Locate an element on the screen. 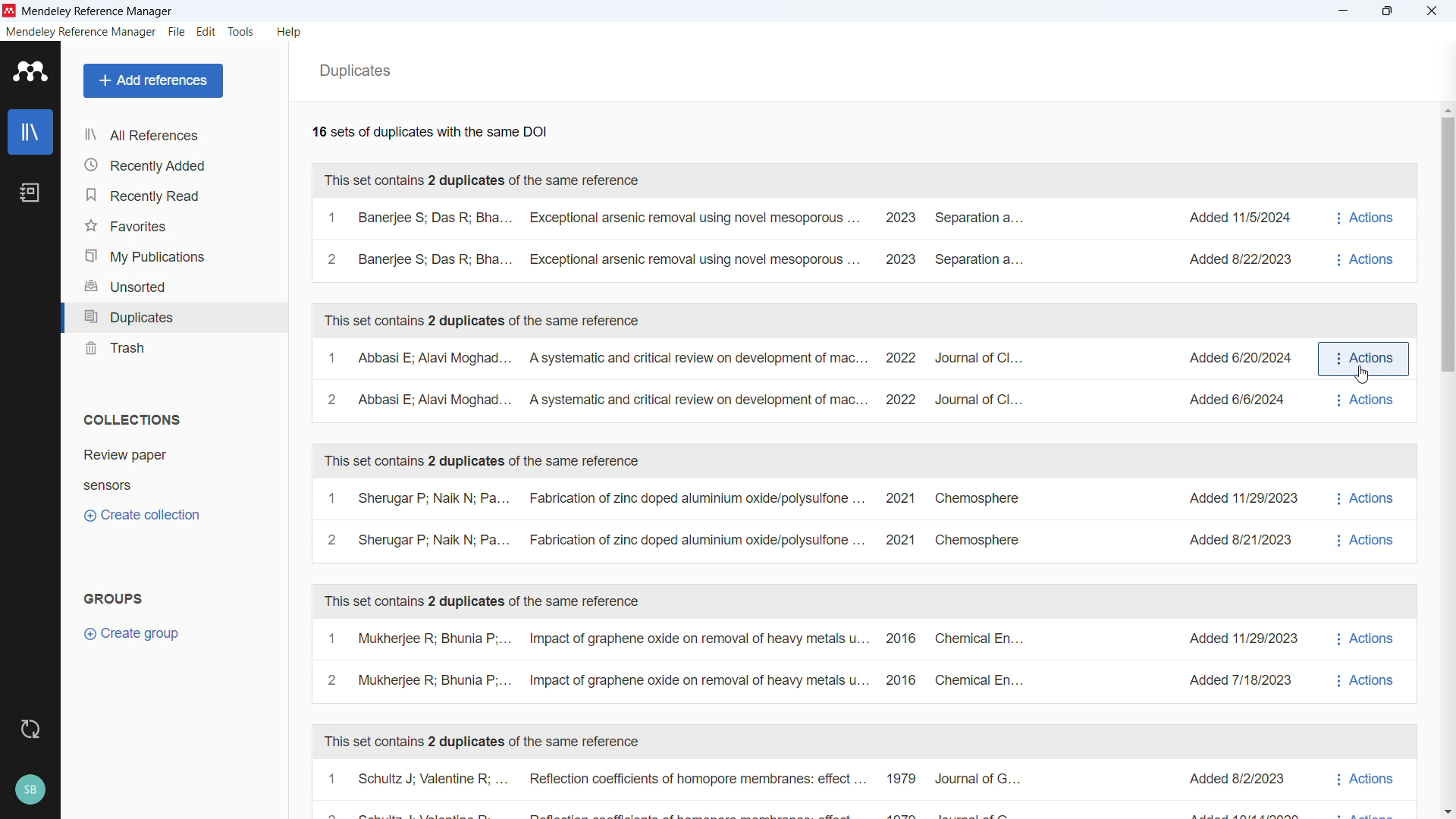 This screenshot has width=1456, height=819. Add references is located at coordinates (154, 81).